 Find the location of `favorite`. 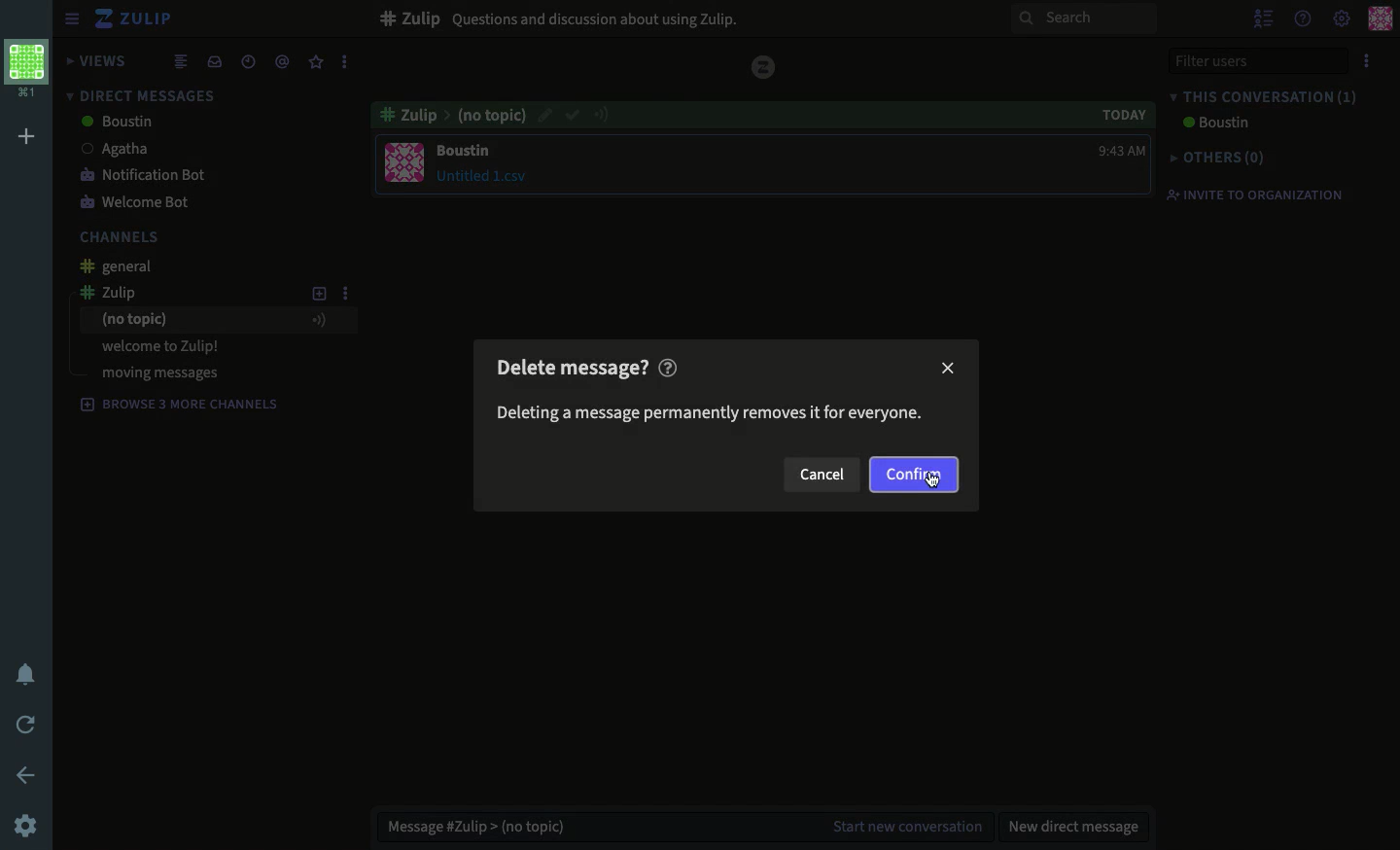

favorite is located at coordinates (316, 62).